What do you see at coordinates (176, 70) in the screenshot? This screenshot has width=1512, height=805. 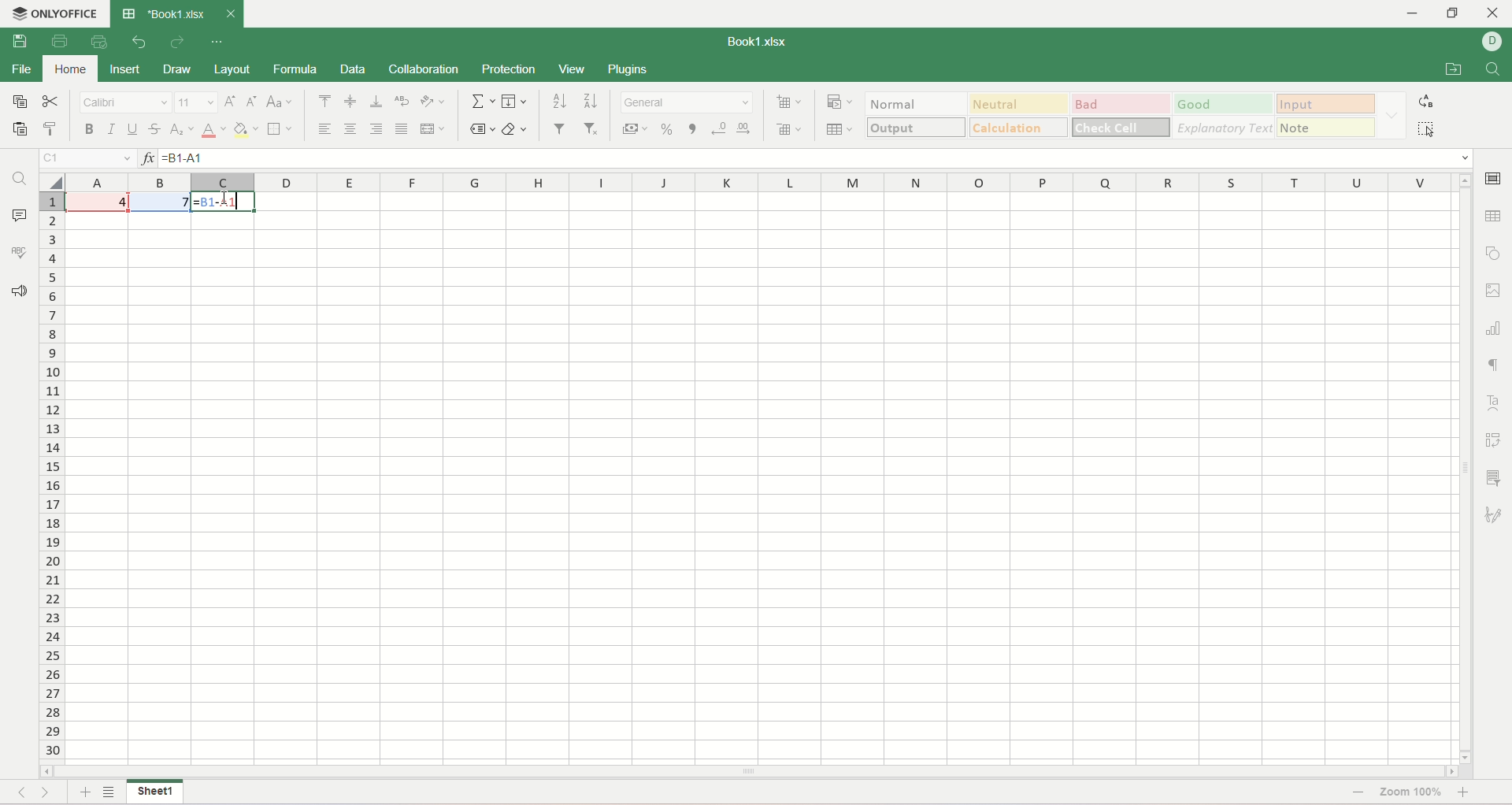 I see `draw` at bounding box center [176, 70].